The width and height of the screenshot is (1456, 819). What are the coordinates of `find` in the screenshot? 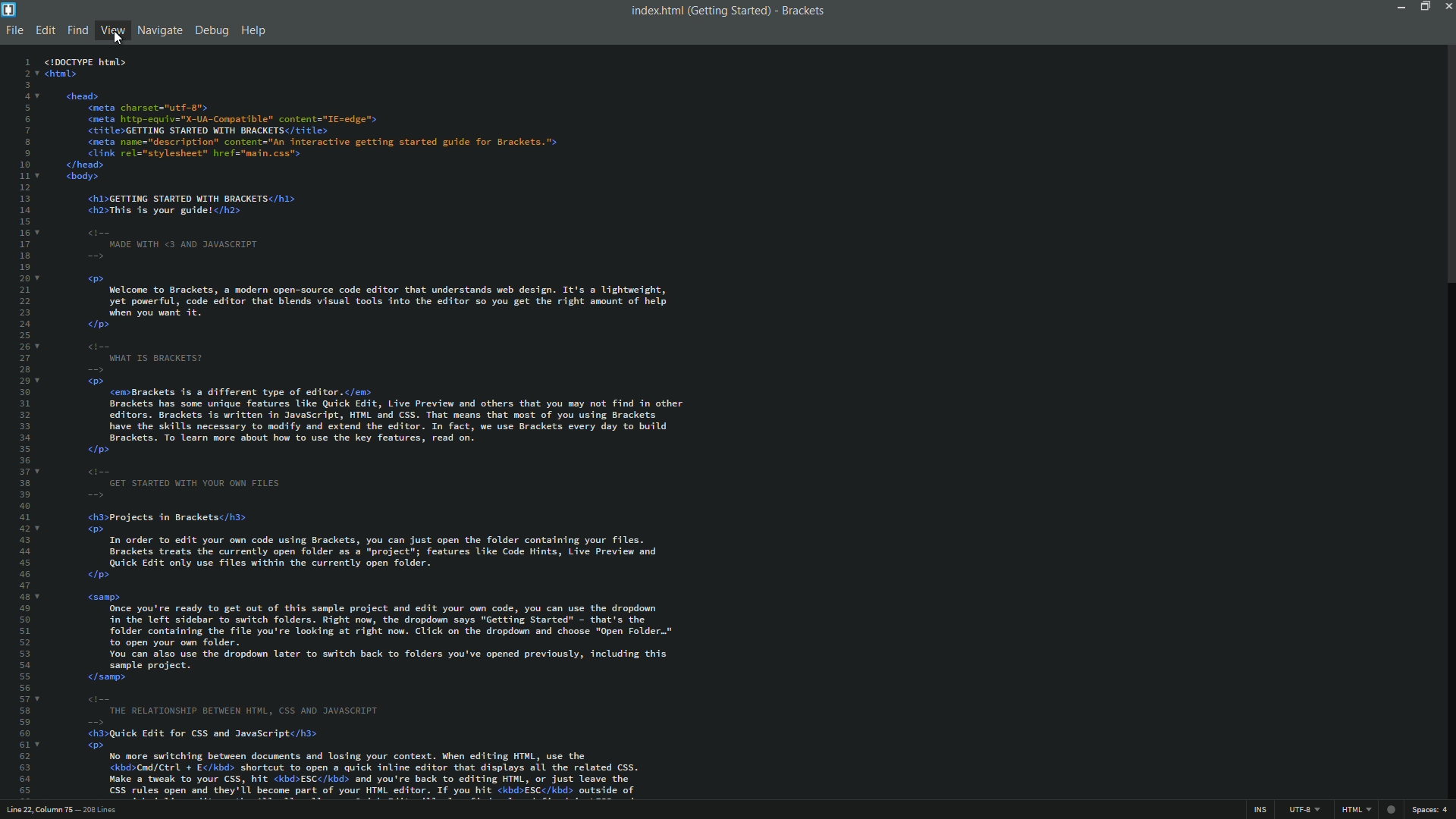 It's located at (78, 30).